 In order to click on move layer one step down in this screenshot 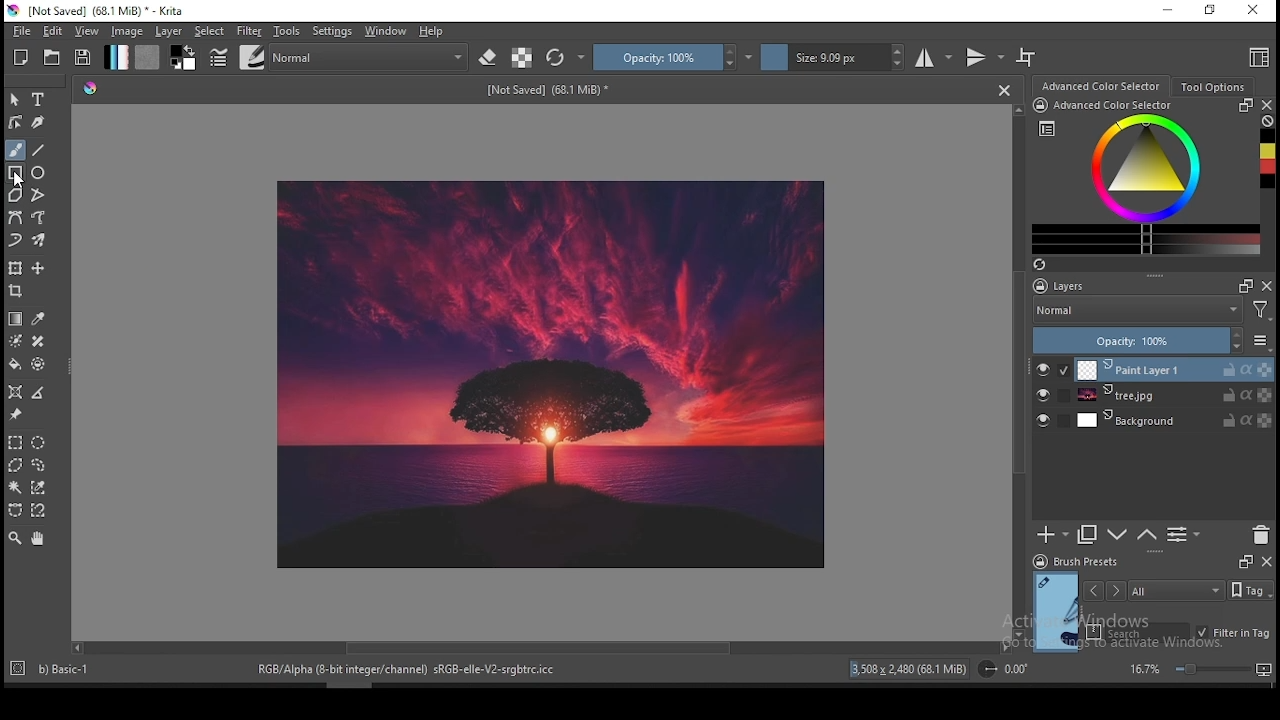, I will do `click(1116, 535)`.